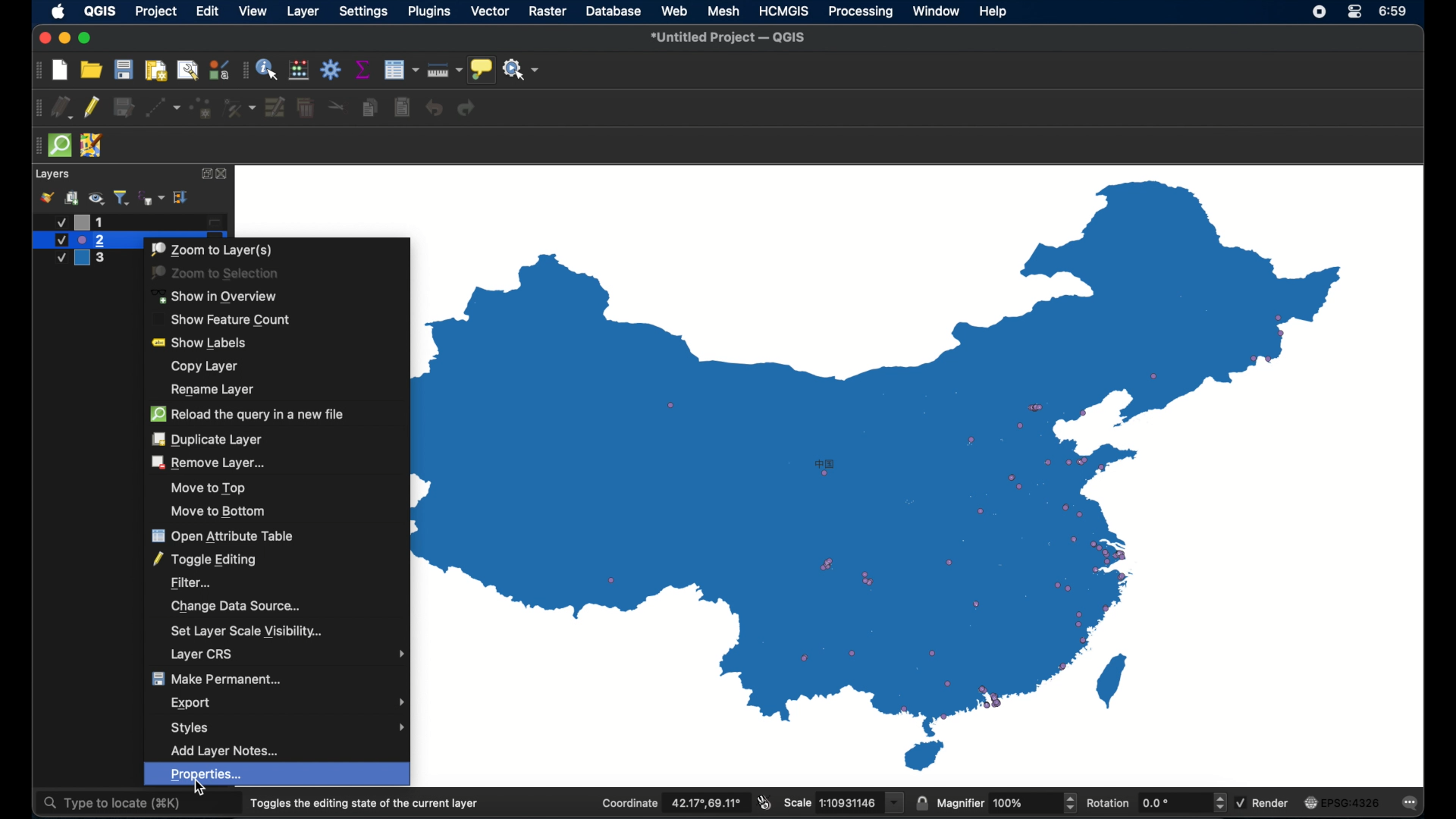  Describe the element at coordinates (306, 108) in the screenshot. I see `delete selected` at that location.